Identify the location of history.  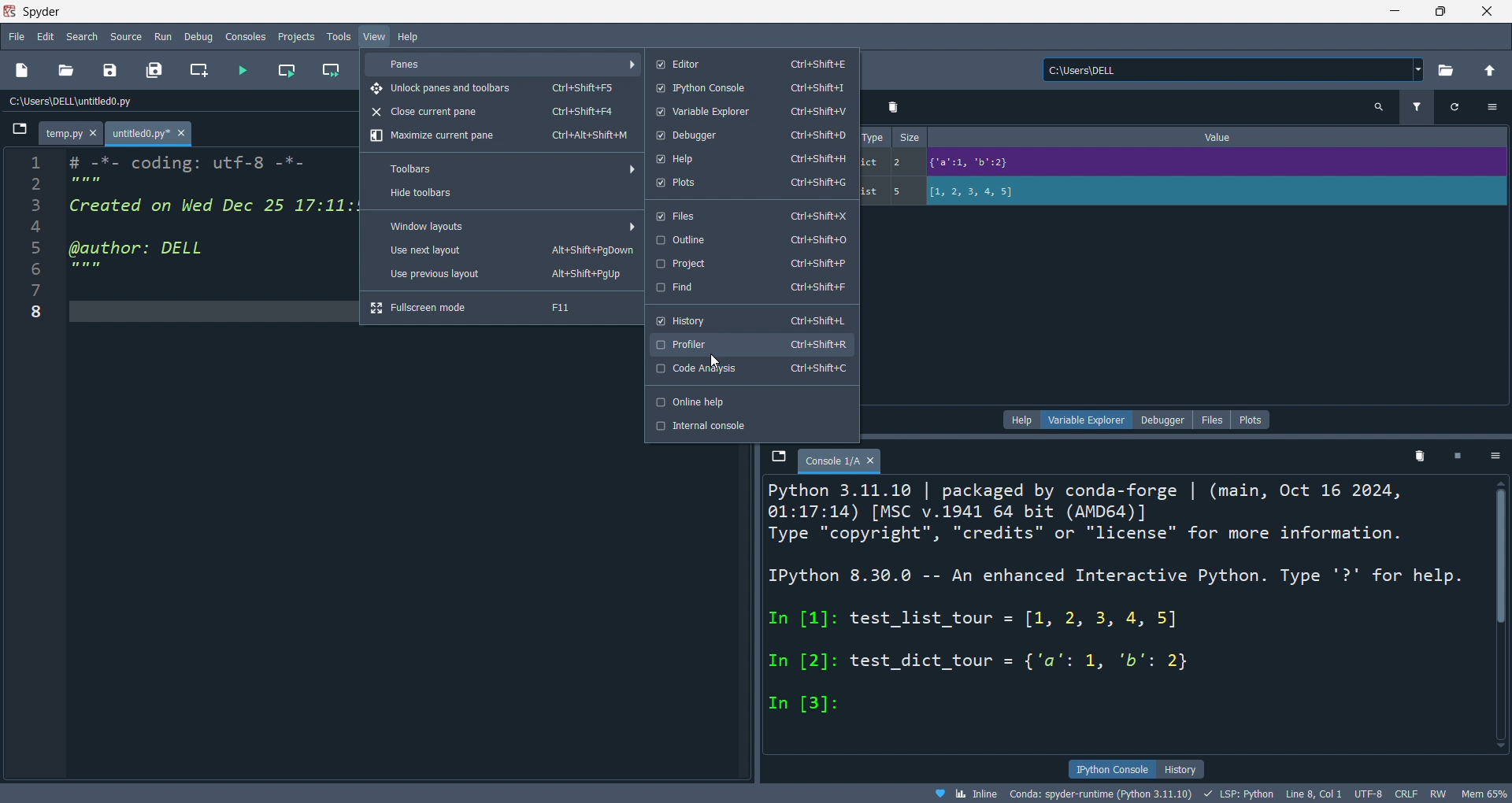
(1184, 768).